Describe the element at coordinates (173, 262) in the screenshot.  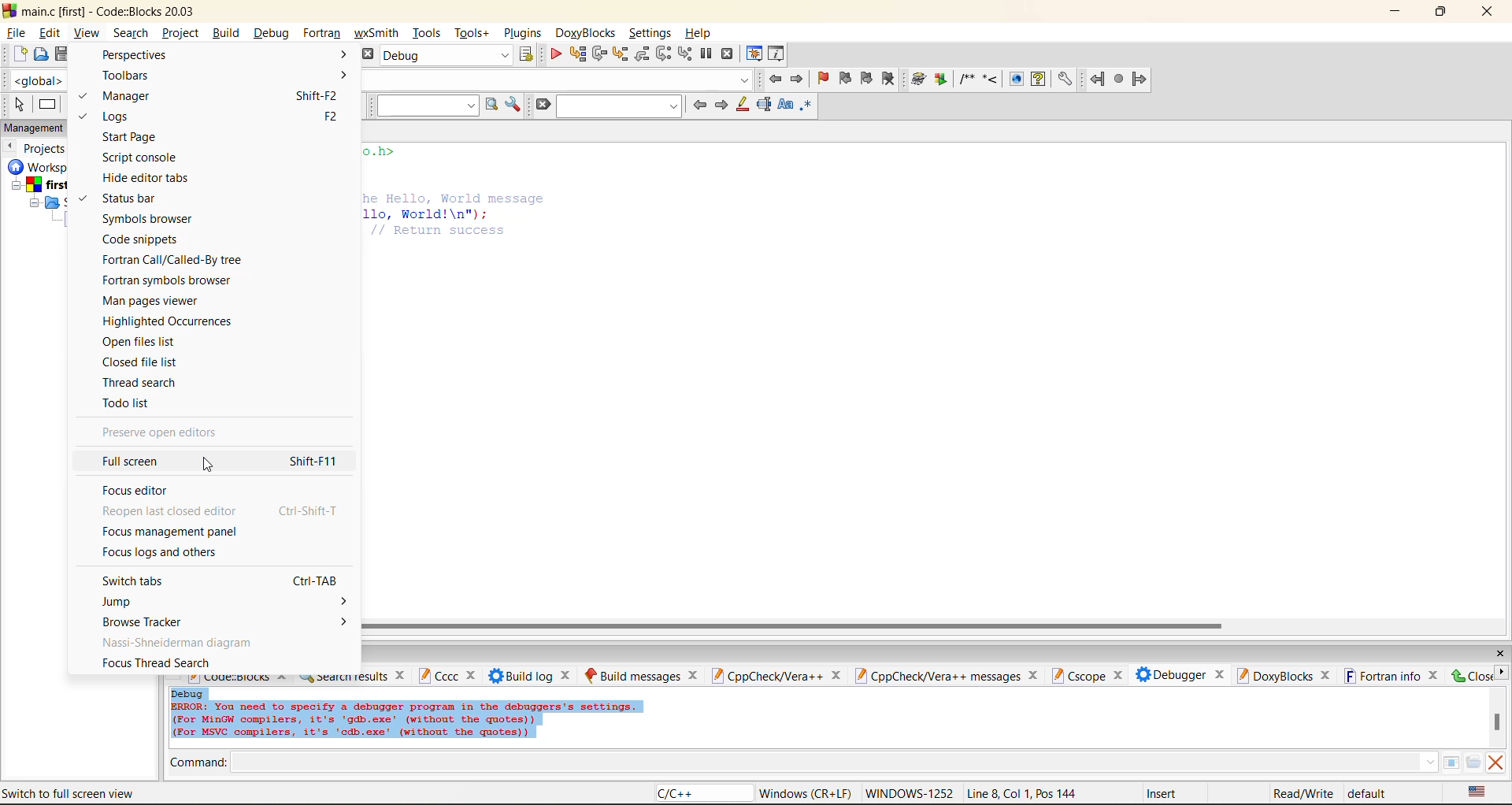
I see `fortran call/called-by tree` at that location.